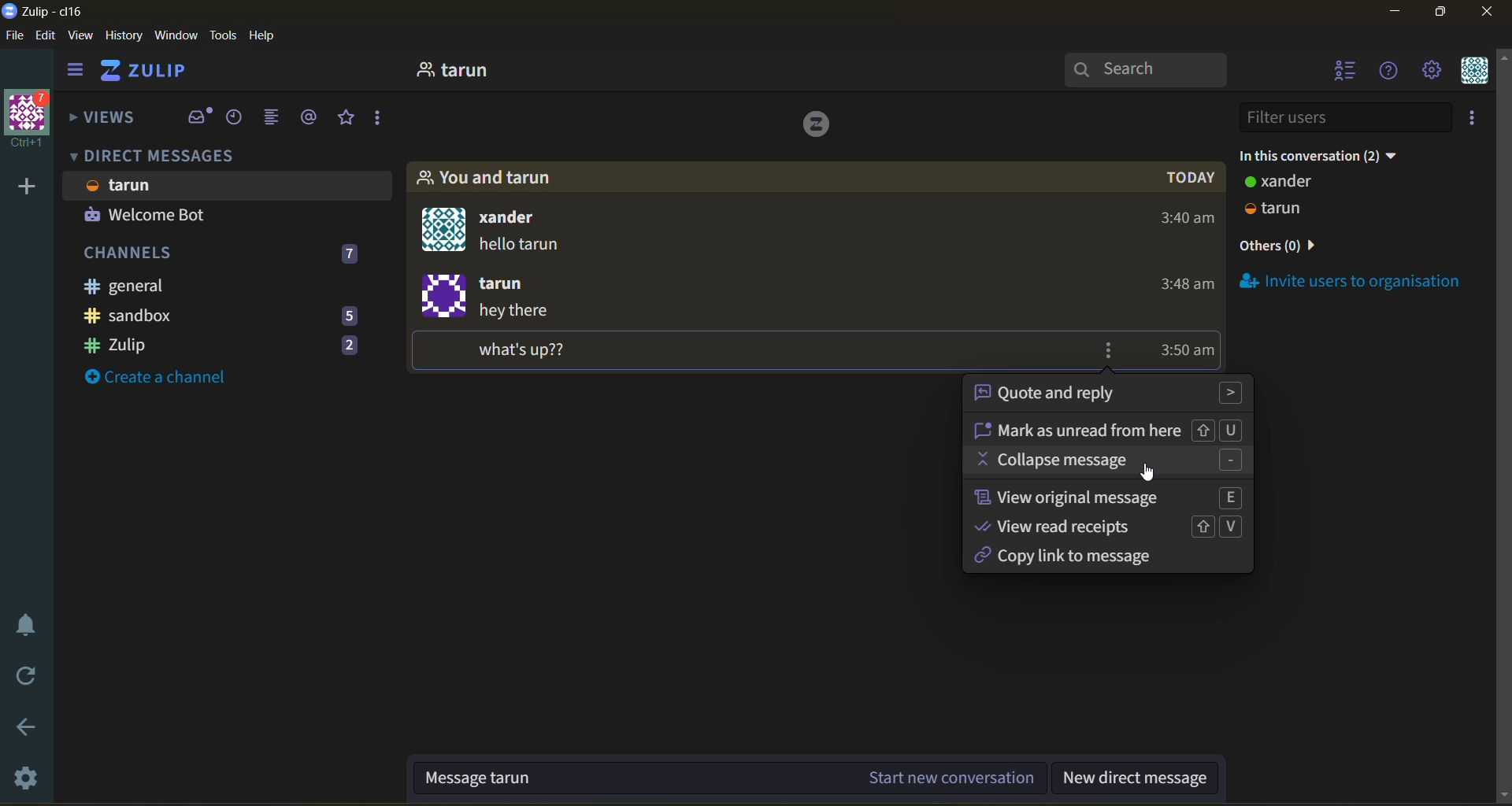  Describe the element at coordinates (1113, 461) in the screenshot. I see `collapse message` at that location.